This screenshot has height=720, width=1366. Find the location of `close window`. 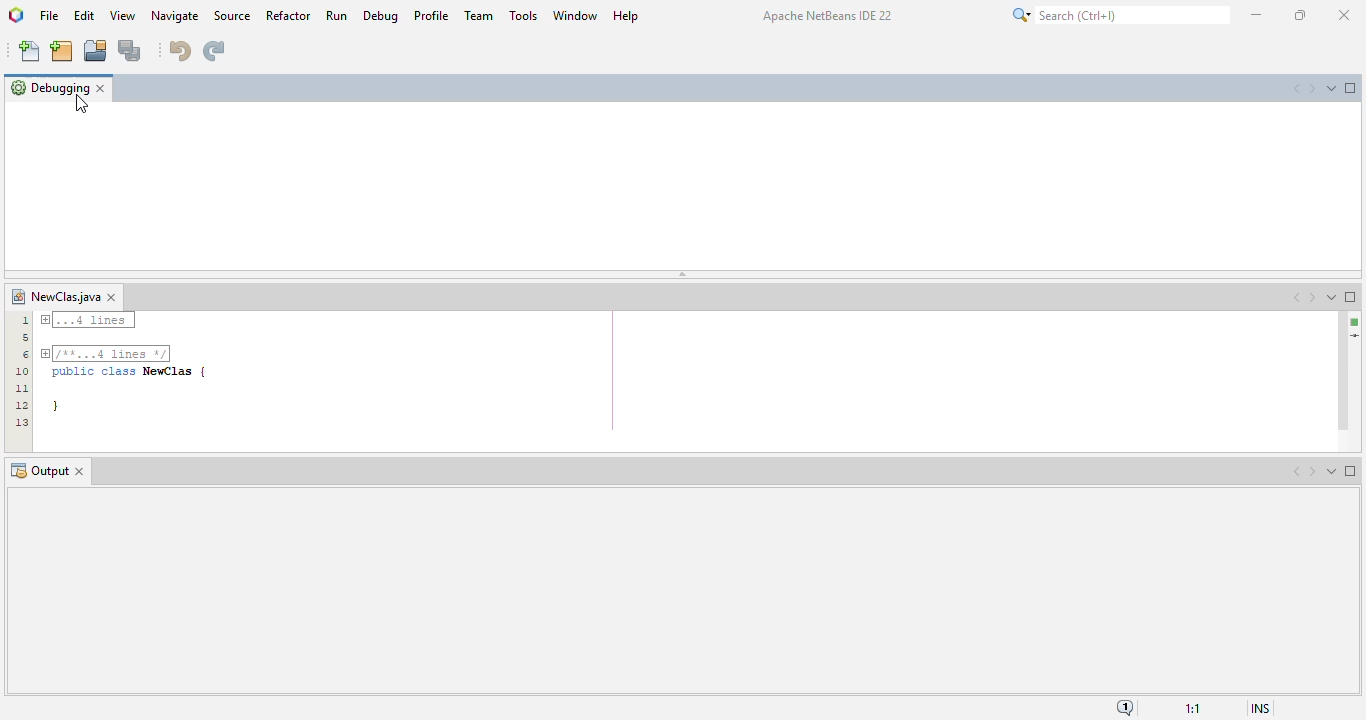

close window is located at coordinates (81, 472).